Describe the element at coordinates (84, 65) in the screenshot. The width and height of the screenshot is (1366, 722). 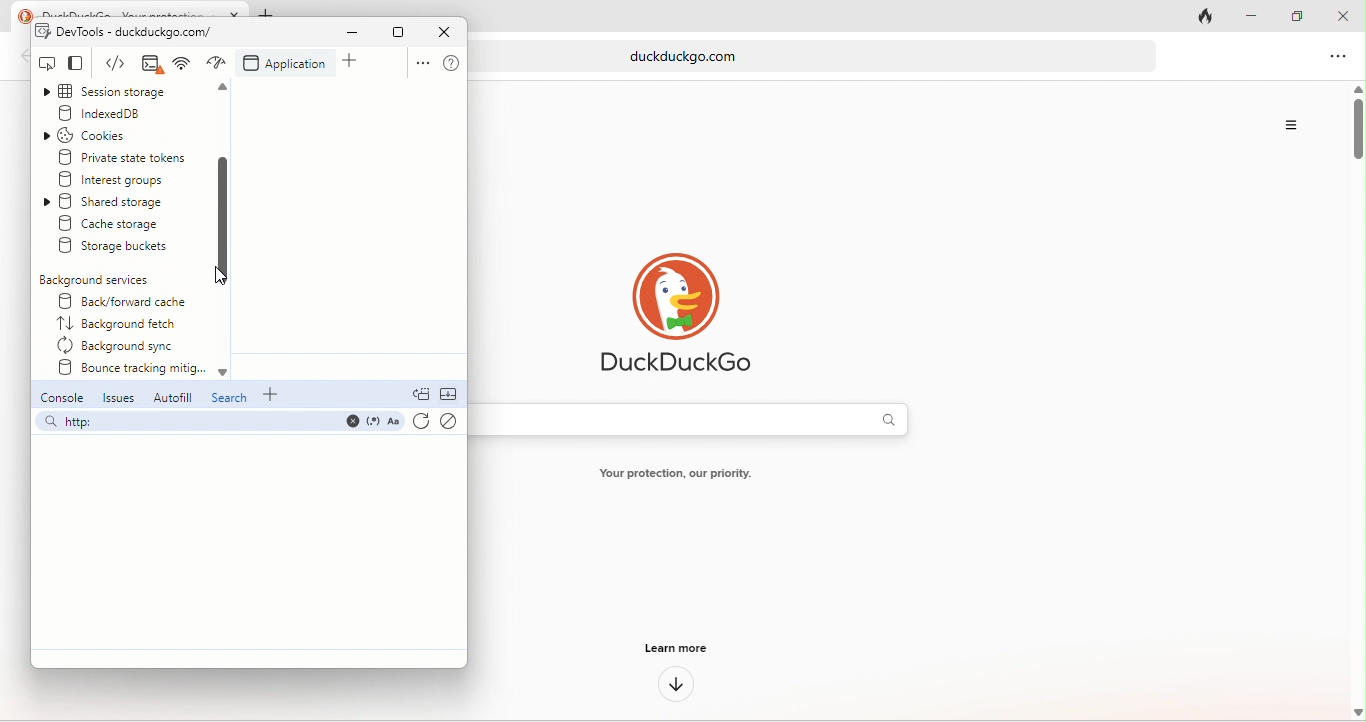
I see `change view` at that location.